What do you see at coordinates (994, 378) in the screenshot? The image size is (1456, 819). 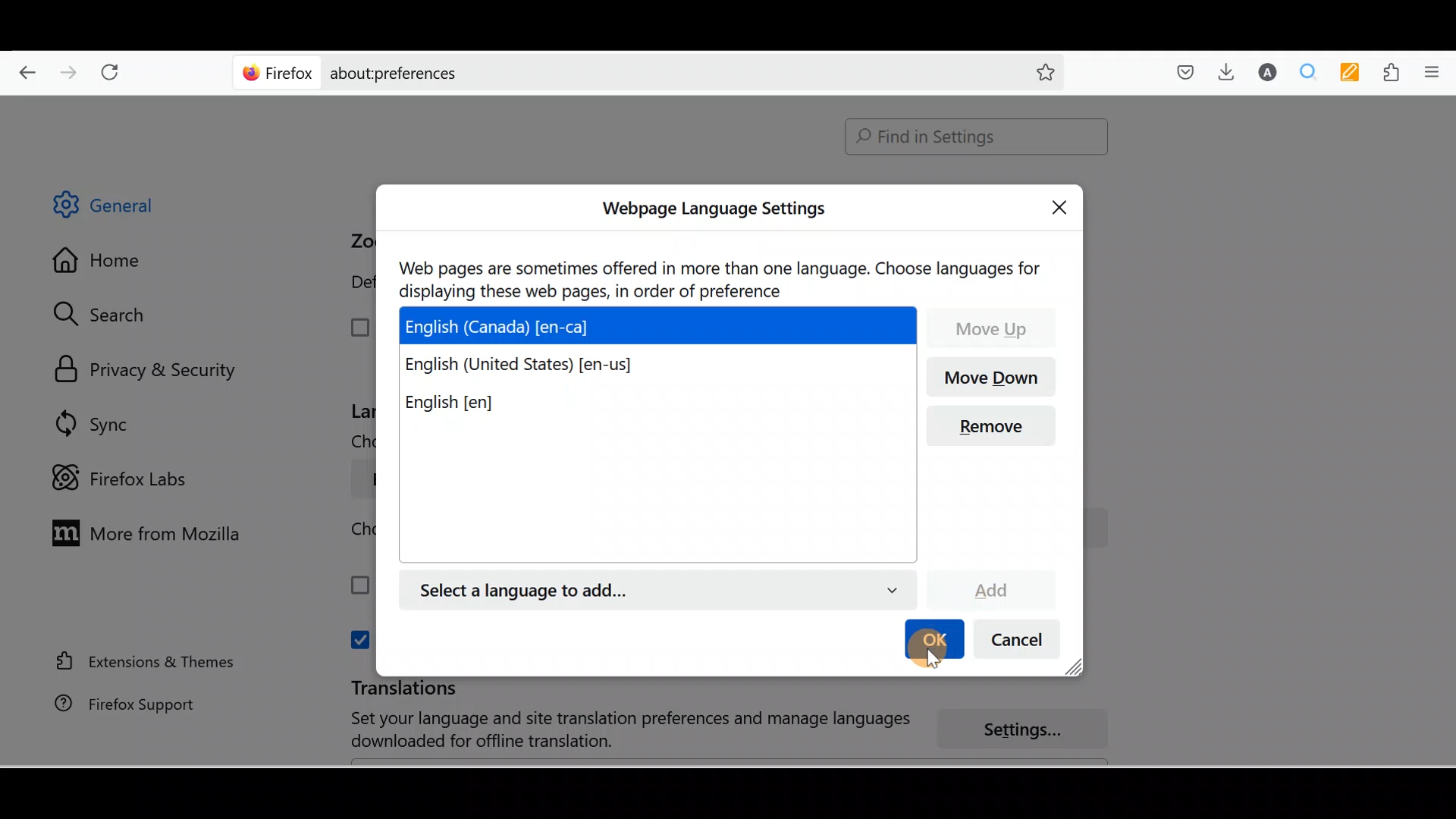 I see `Move down` at bounding box center [994, 378].